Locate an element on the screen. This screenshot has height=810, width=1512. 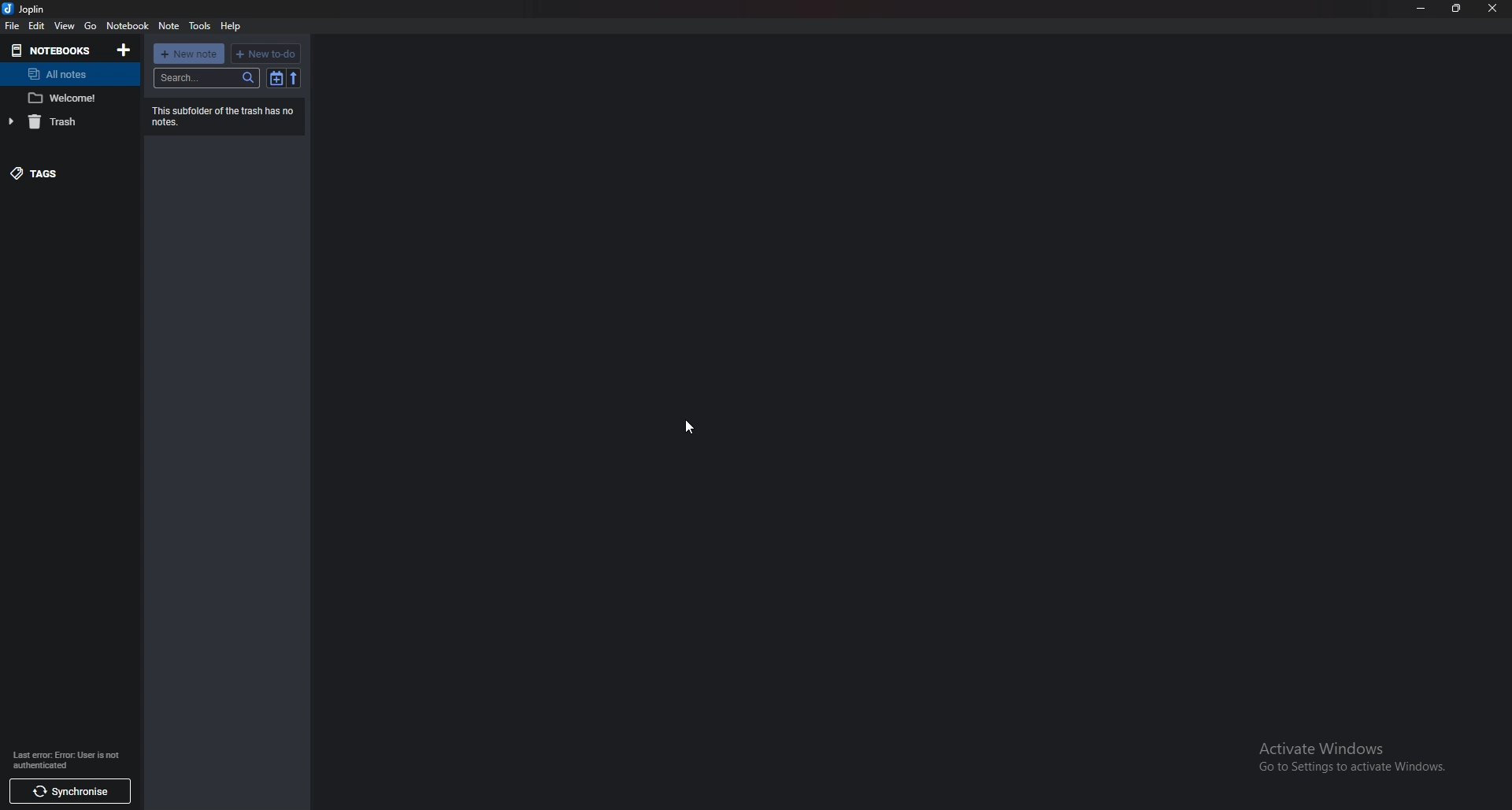
All notes is located at coordinates (67, 74).